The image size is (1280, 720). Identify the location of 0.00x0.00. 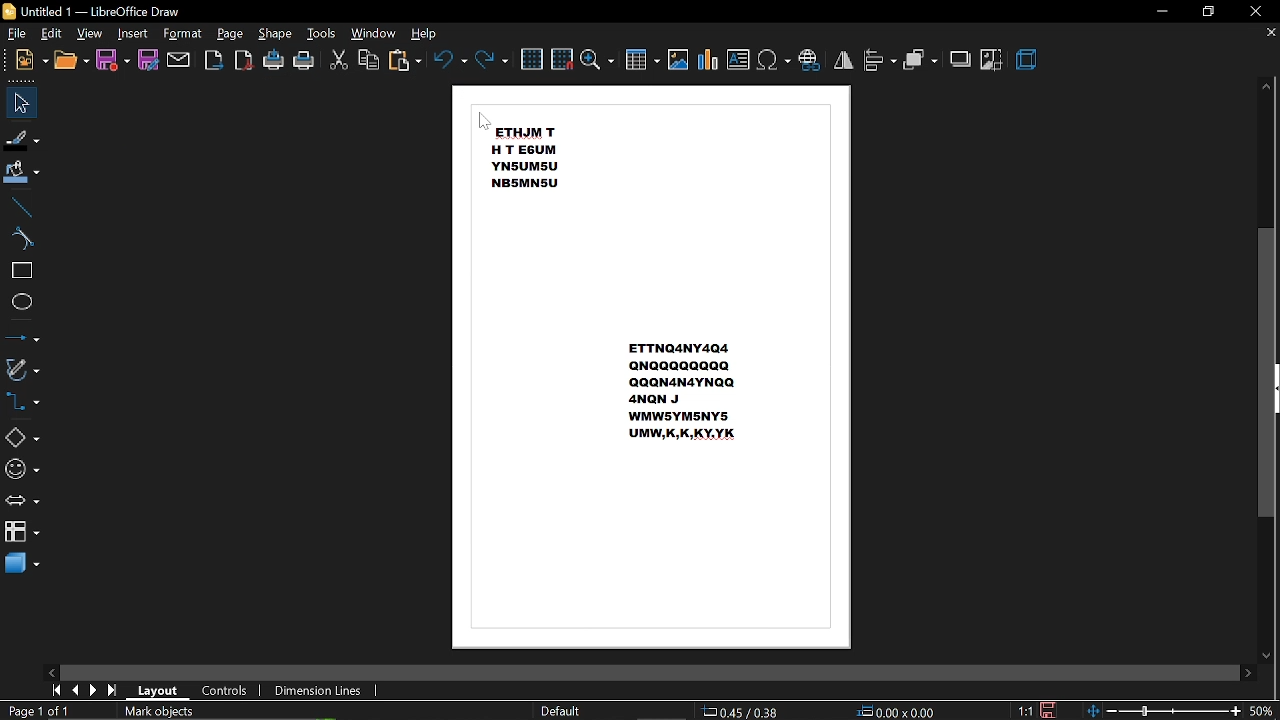
(895, 709).